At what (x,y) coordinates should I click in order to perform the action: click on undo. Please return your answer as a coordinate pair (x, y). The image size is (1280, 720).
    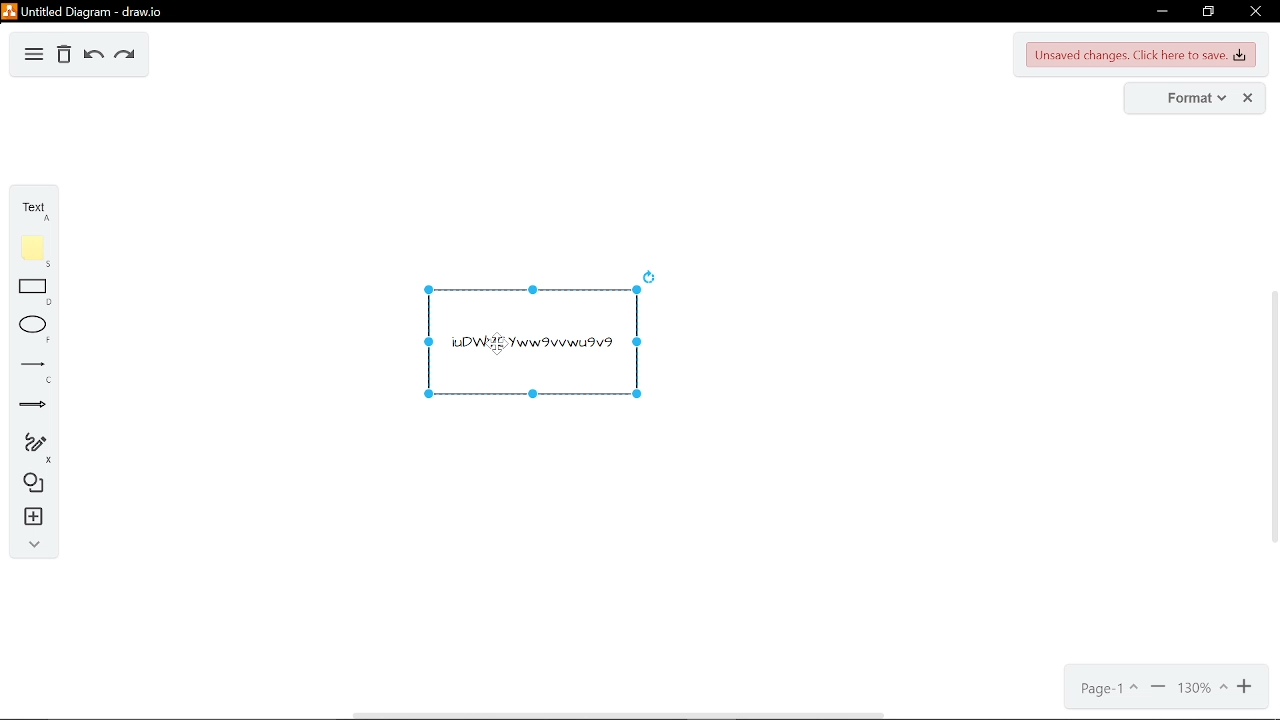
    Looking at the image, I should click on (94, 56).